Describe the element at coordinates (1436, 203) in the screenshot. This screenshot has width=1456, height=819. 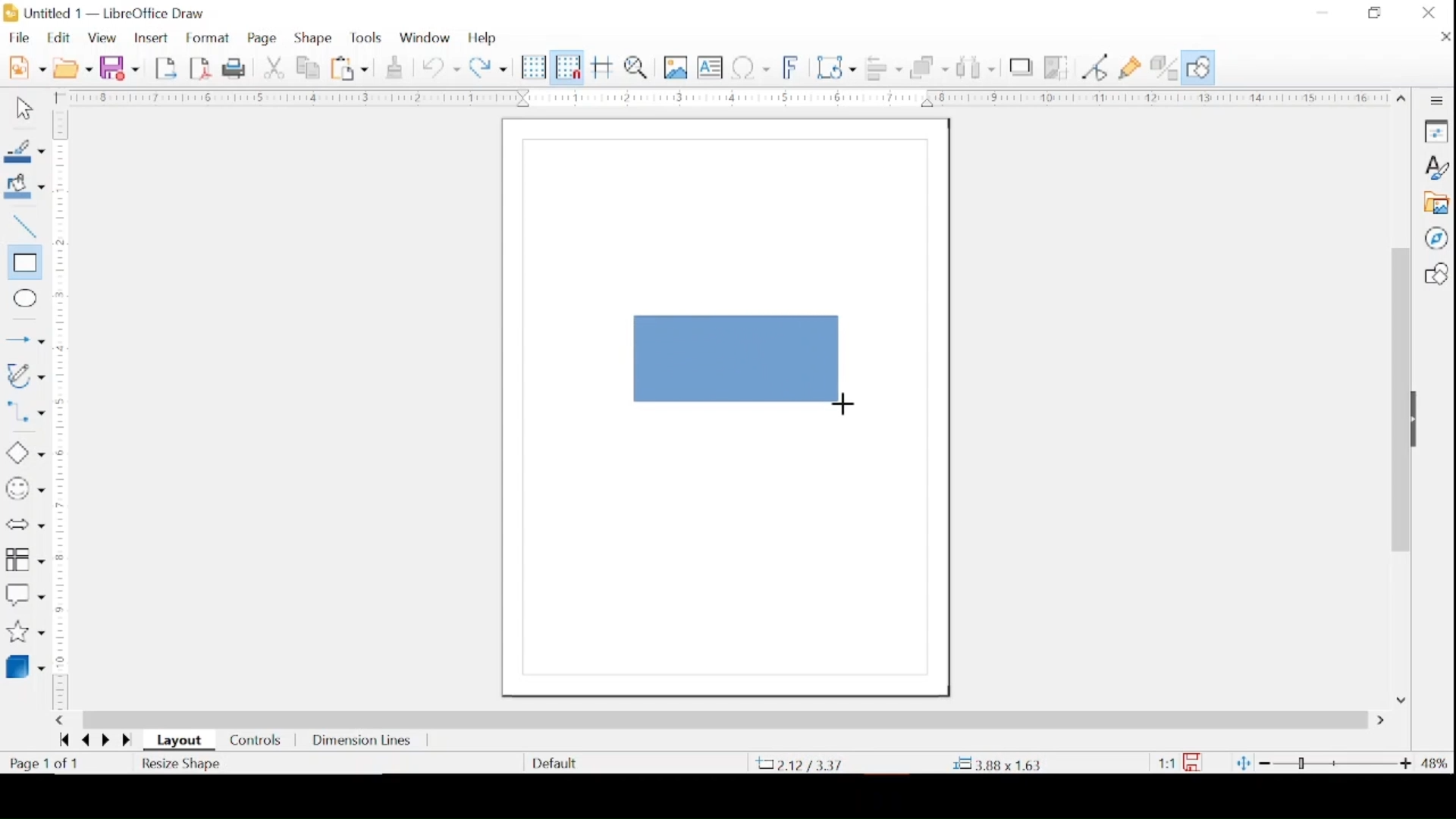
I see `gallery` at that location.